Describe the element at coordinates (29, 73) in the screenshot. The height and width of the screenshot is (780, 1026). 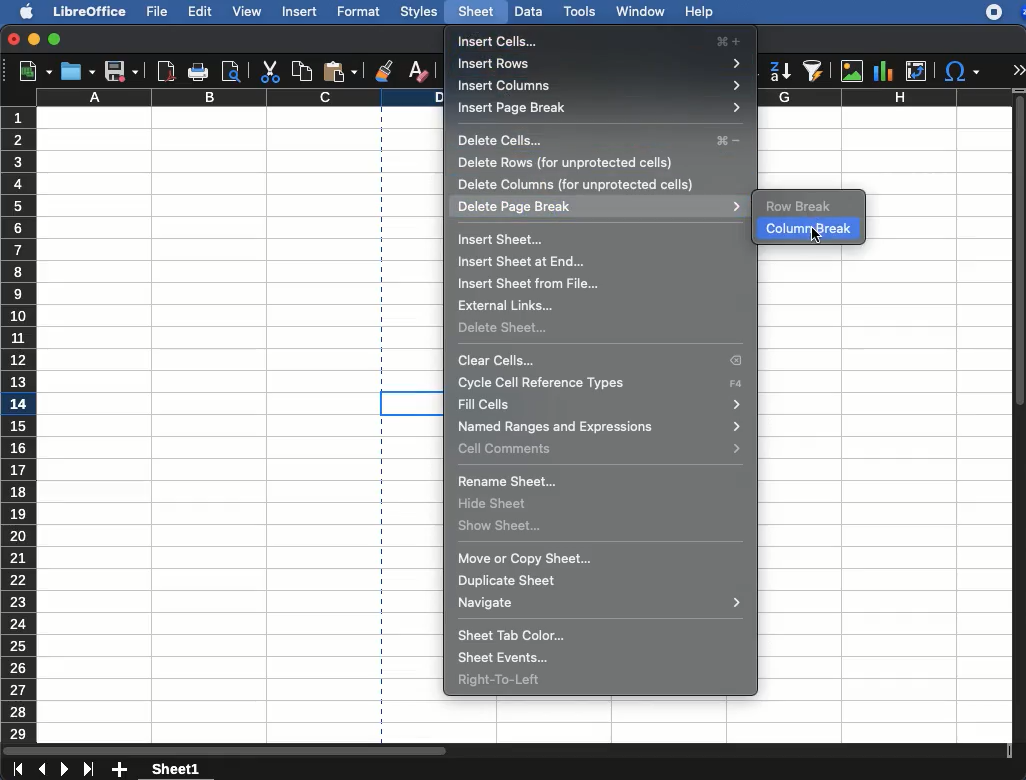
I see `new` at that location.